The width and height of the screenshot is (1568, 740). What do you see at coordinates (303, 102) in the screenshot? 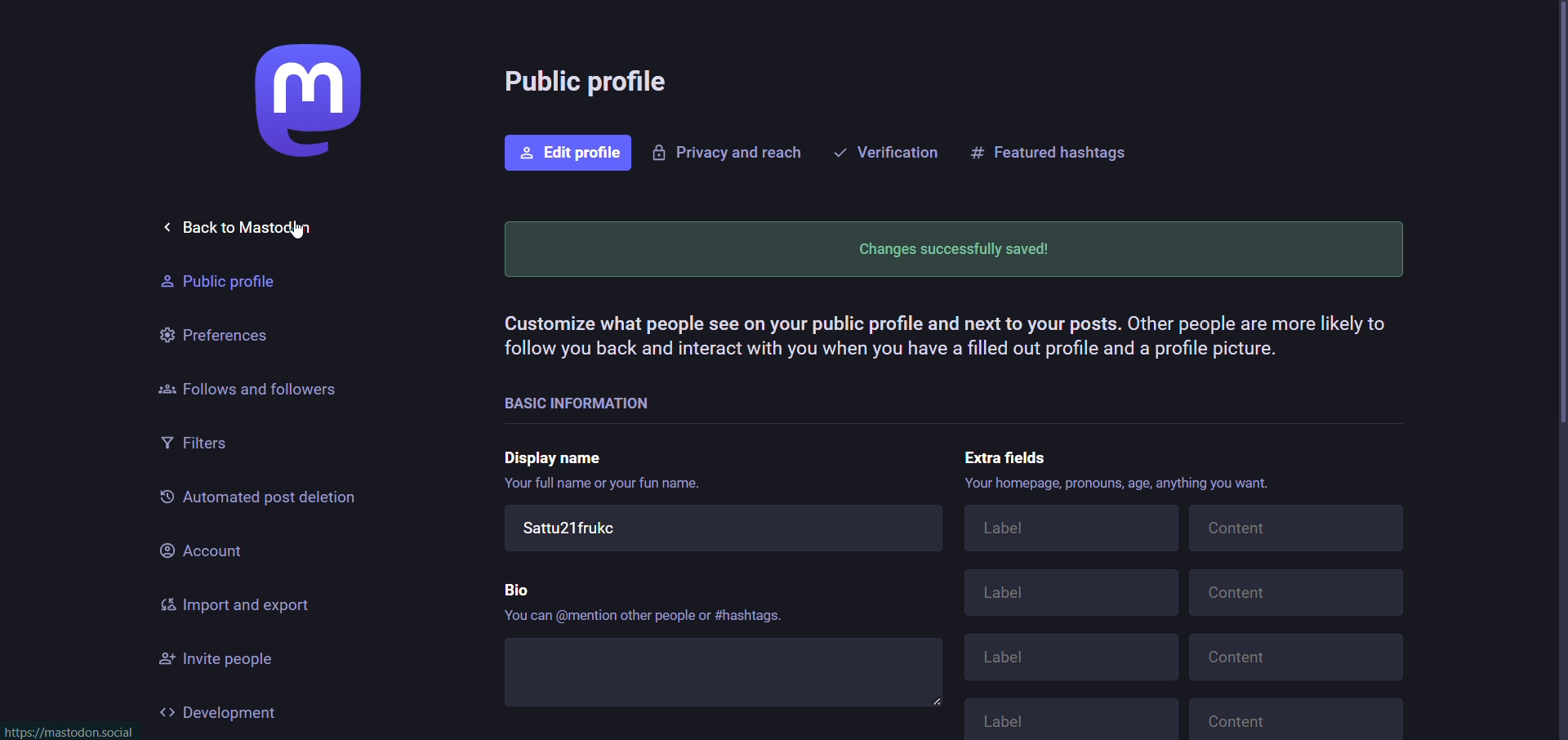
I see `logo` at bounding box center [303, 102].